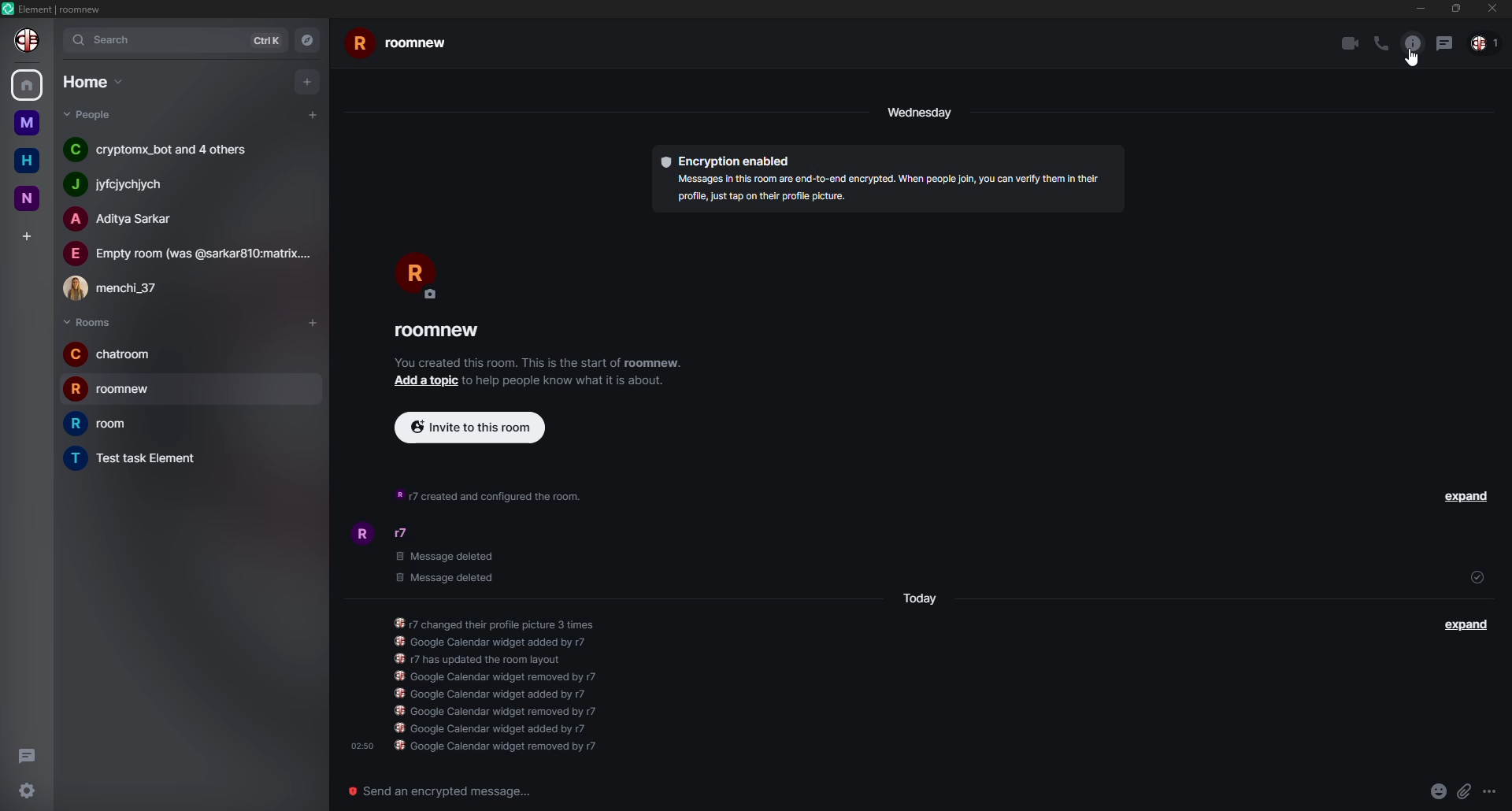  Describe the element at coordinates (1443, 43) in the screenshot. I see `threads` at that location.